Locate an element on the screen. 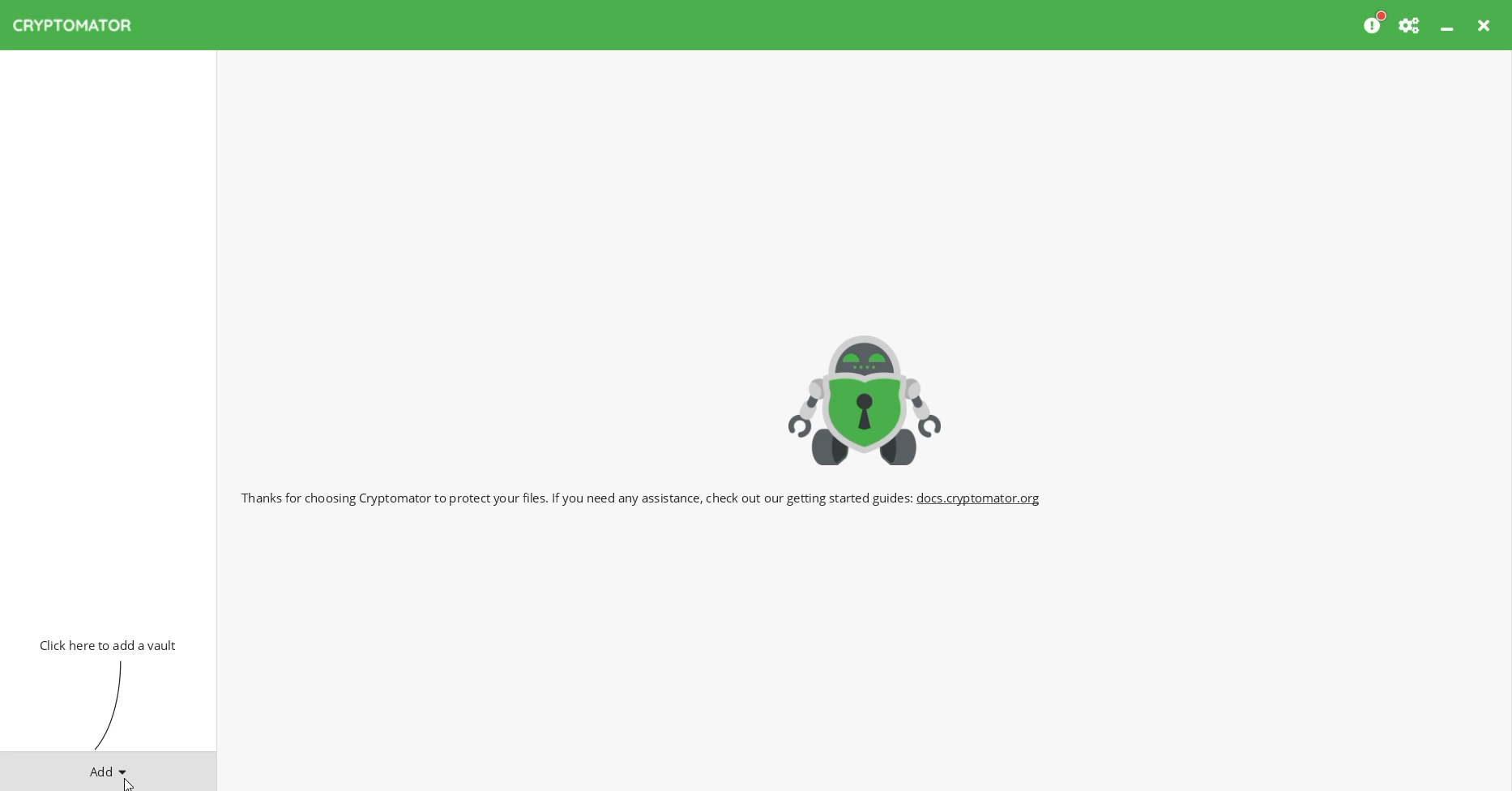 The image size is (1512, 791). Add is located at coordinates (109, 768).